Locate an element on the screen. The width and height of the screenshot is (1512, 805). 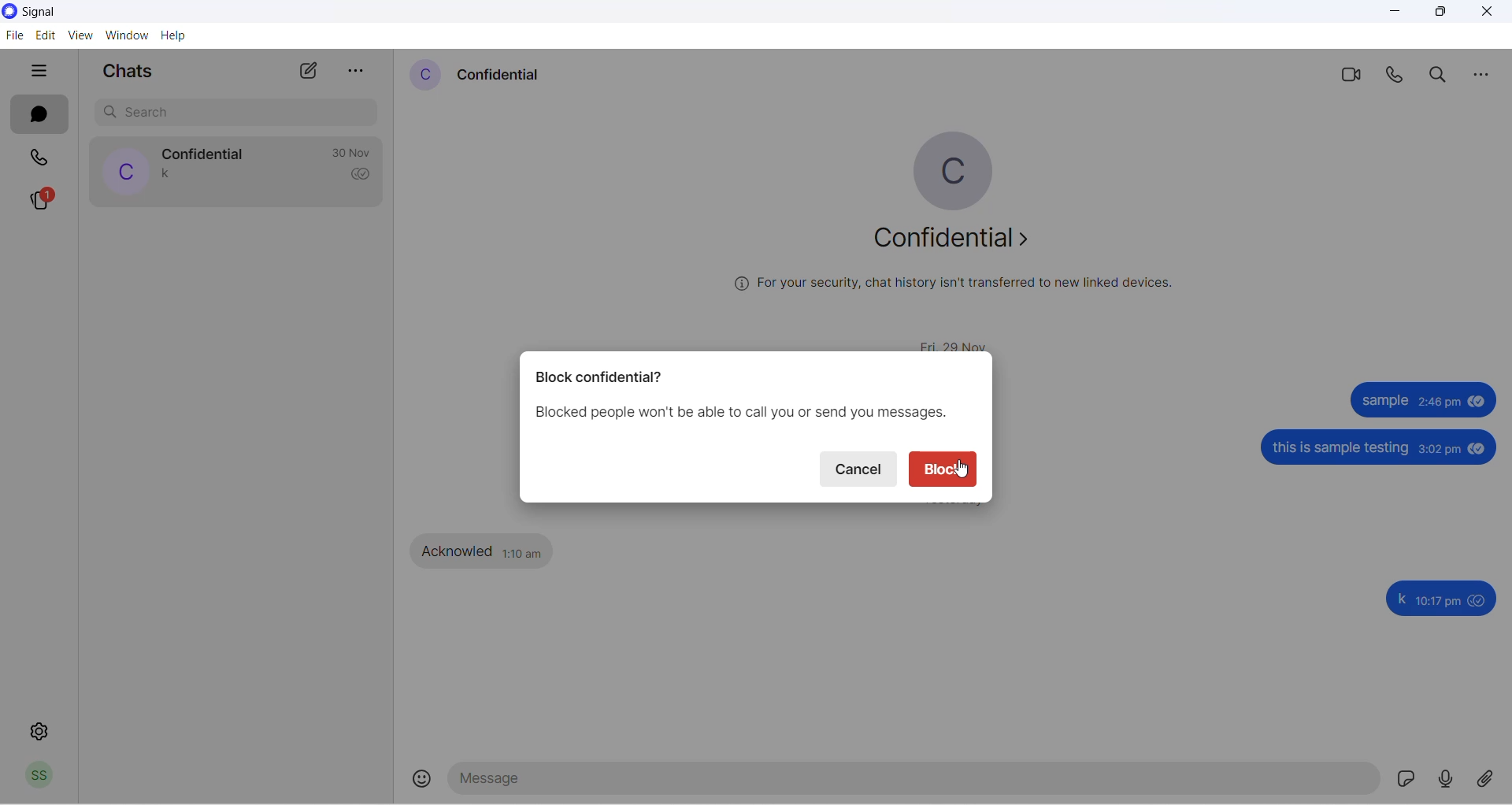
settings is located at coordinates (36, 734).